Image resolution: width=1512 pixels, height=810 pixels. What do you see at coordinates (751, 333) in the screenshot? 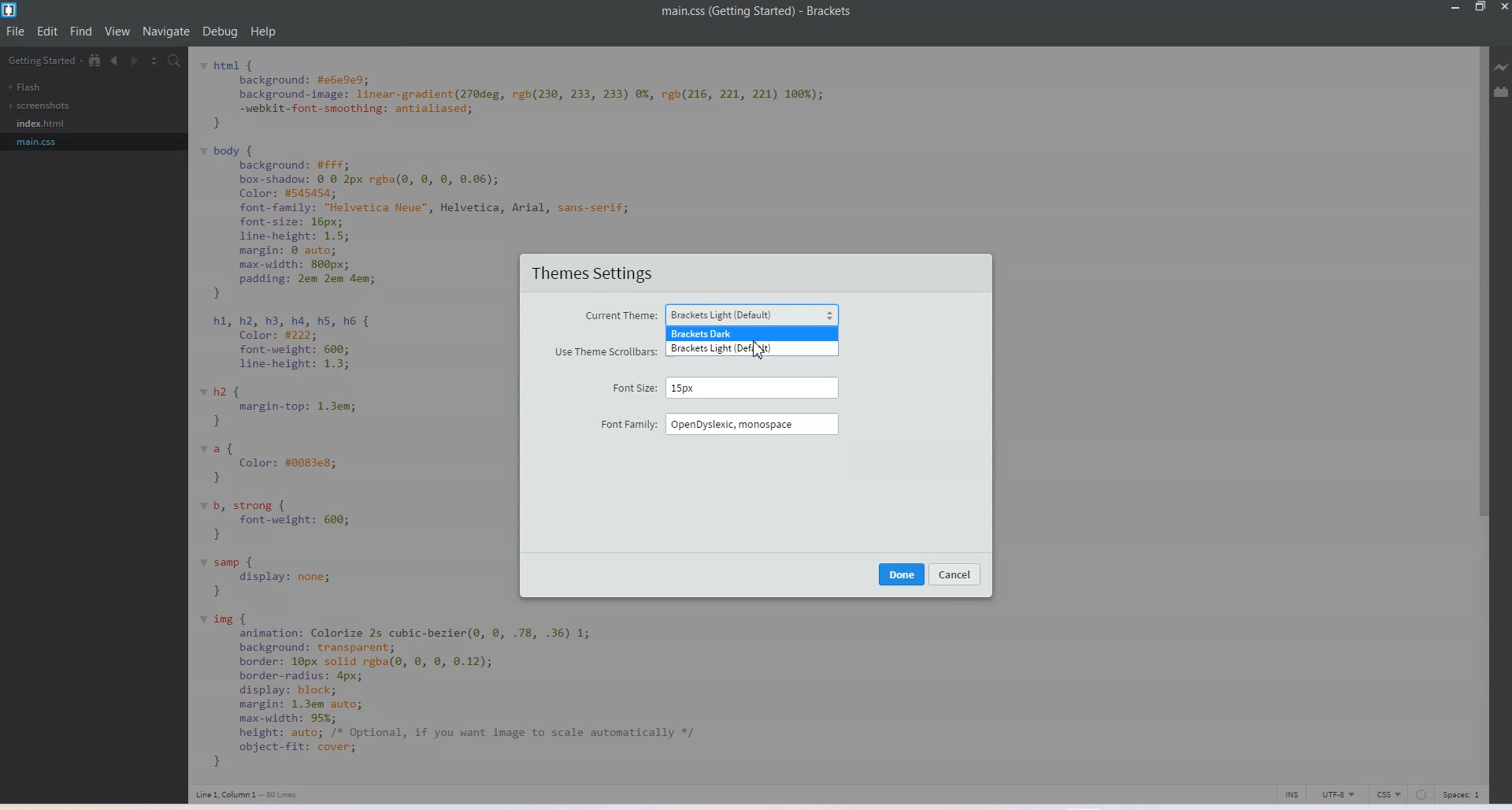
I see `Bracket Dark` at bounding box center [751, 333].